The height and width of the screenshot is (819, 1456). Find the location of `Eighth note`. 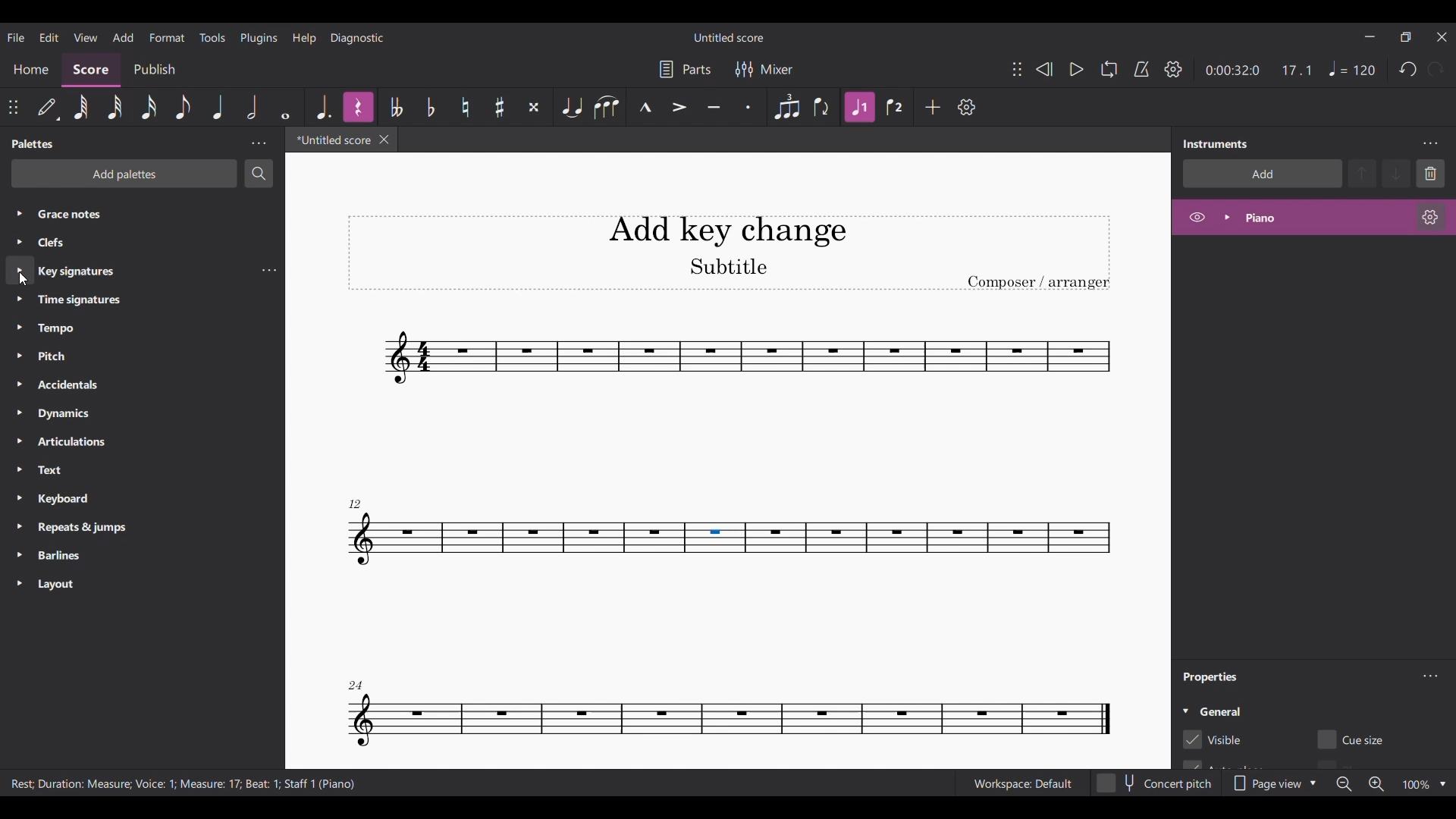

Eighth note is located at coordinates (183, 108).